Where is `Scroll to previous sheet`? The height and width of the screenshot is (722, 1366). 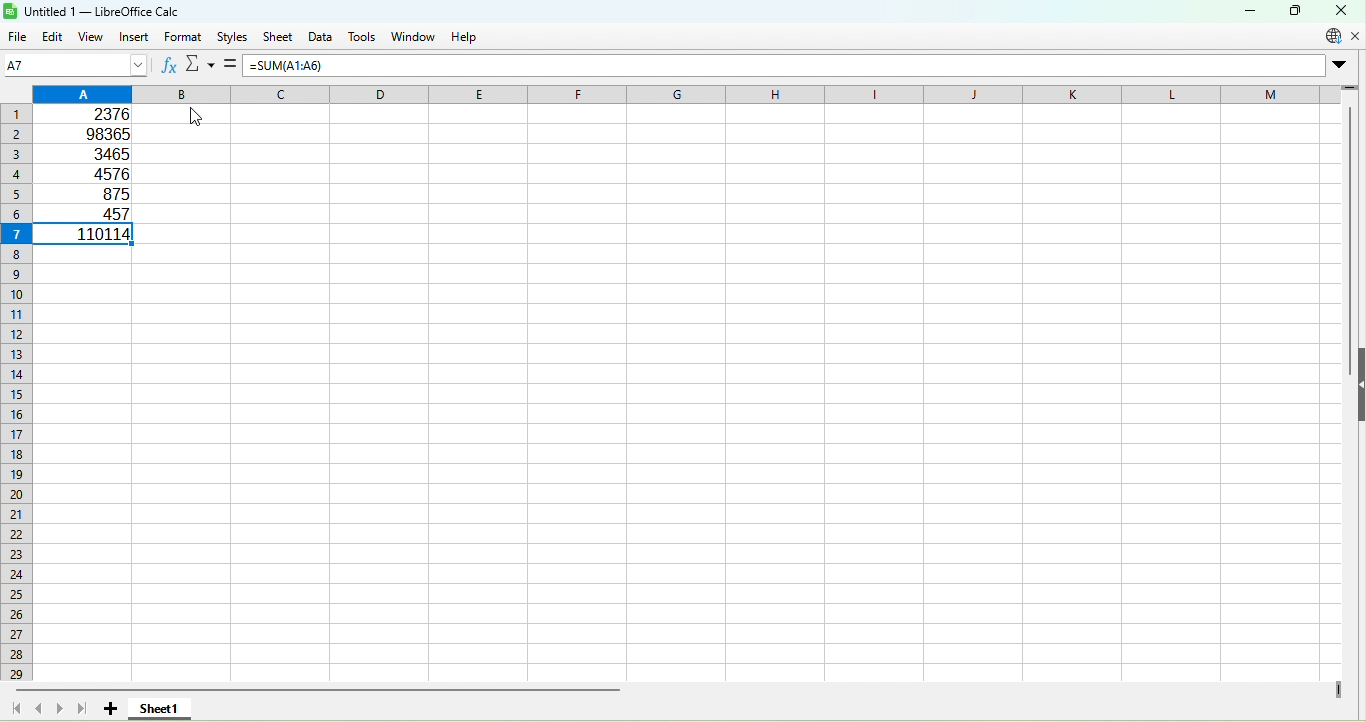
Scroll to previous sheet is located at coordinates (37, 710).